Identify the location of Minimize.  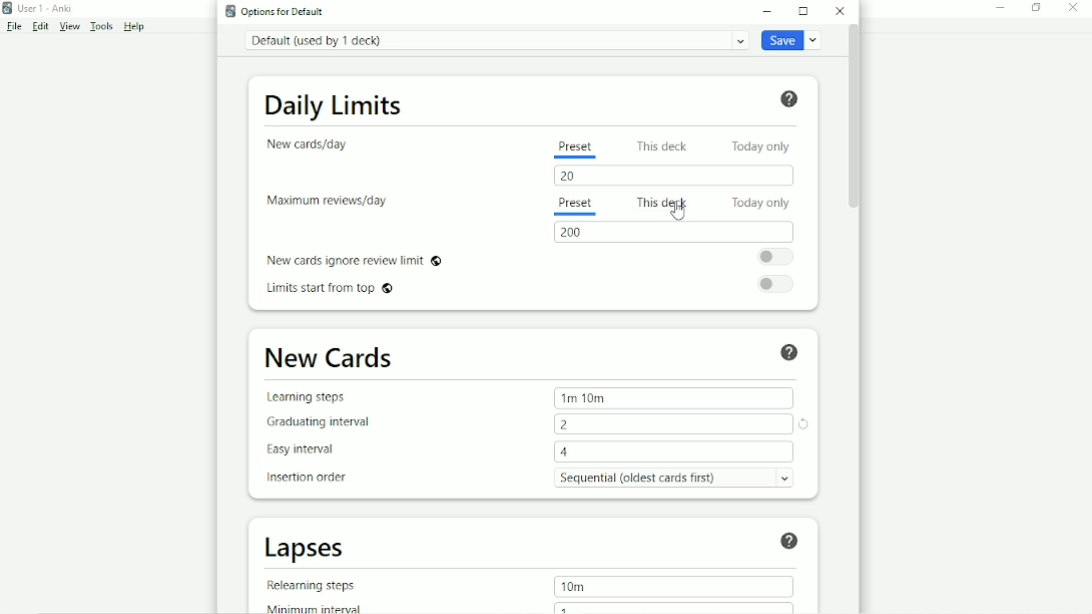
(770, 10).